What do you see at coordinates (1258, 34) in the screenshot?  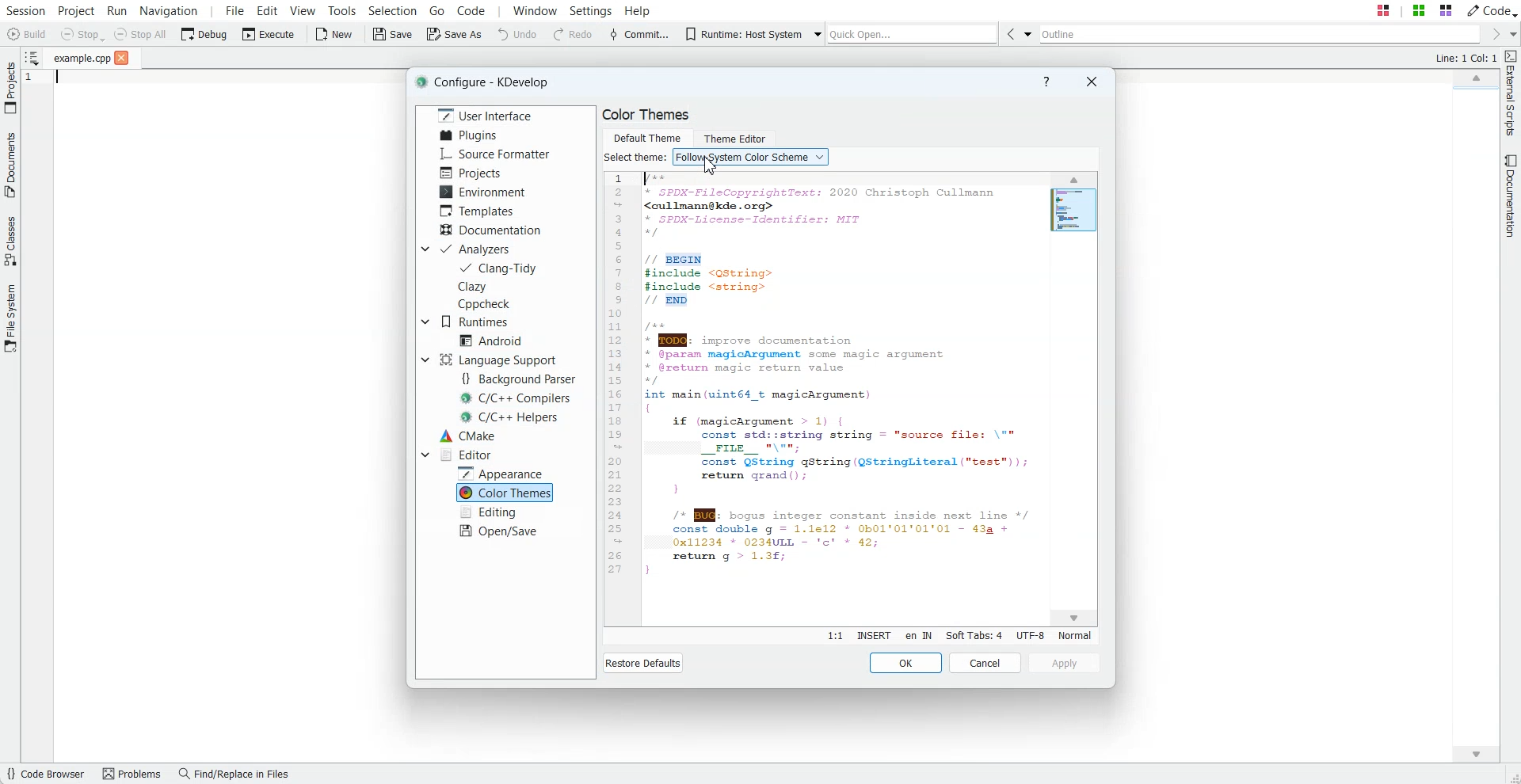 I see `Outline` at bounding box center [1258, 34].